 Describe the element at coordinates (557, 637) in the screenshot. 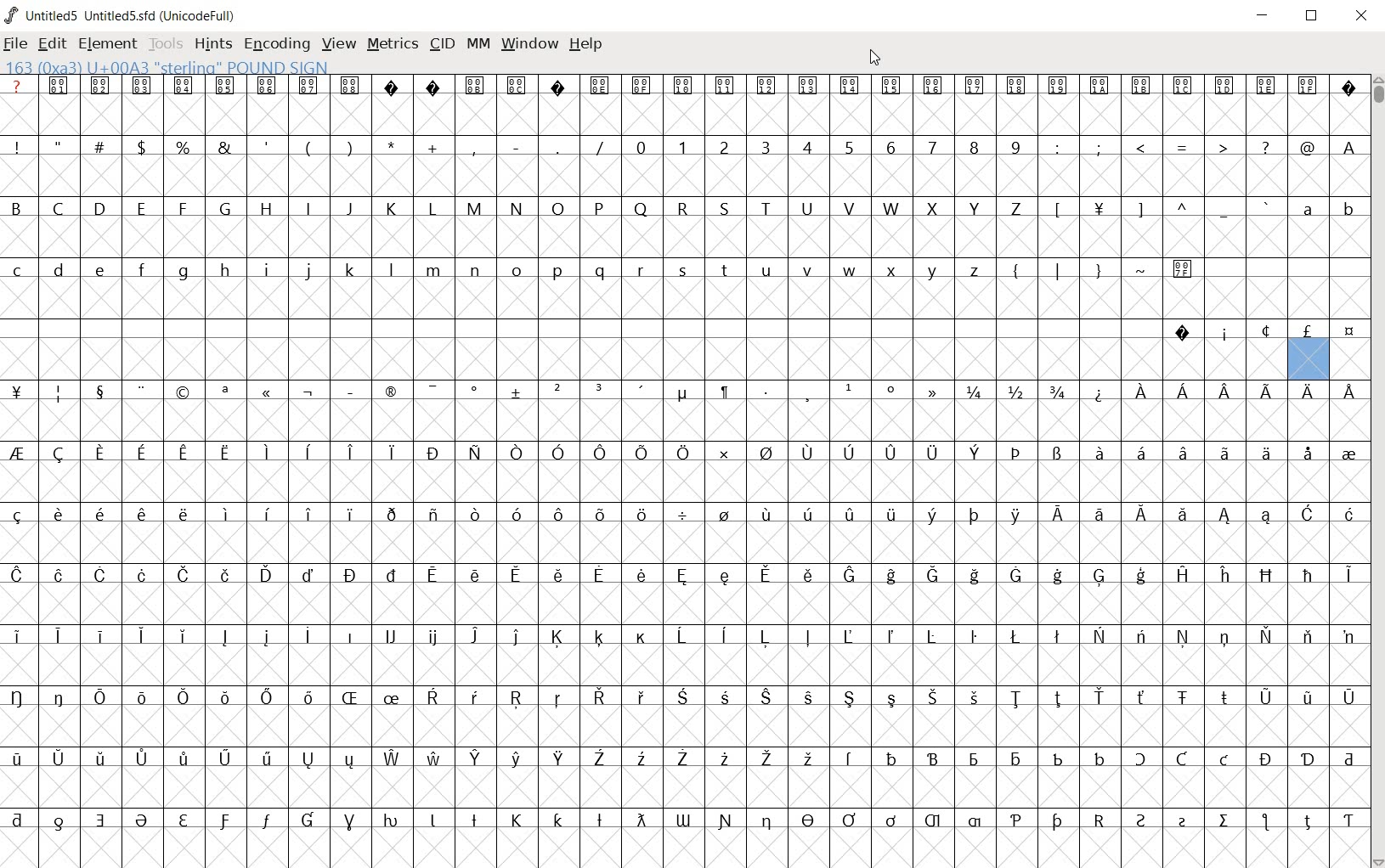

I see `Symbol` at that location.